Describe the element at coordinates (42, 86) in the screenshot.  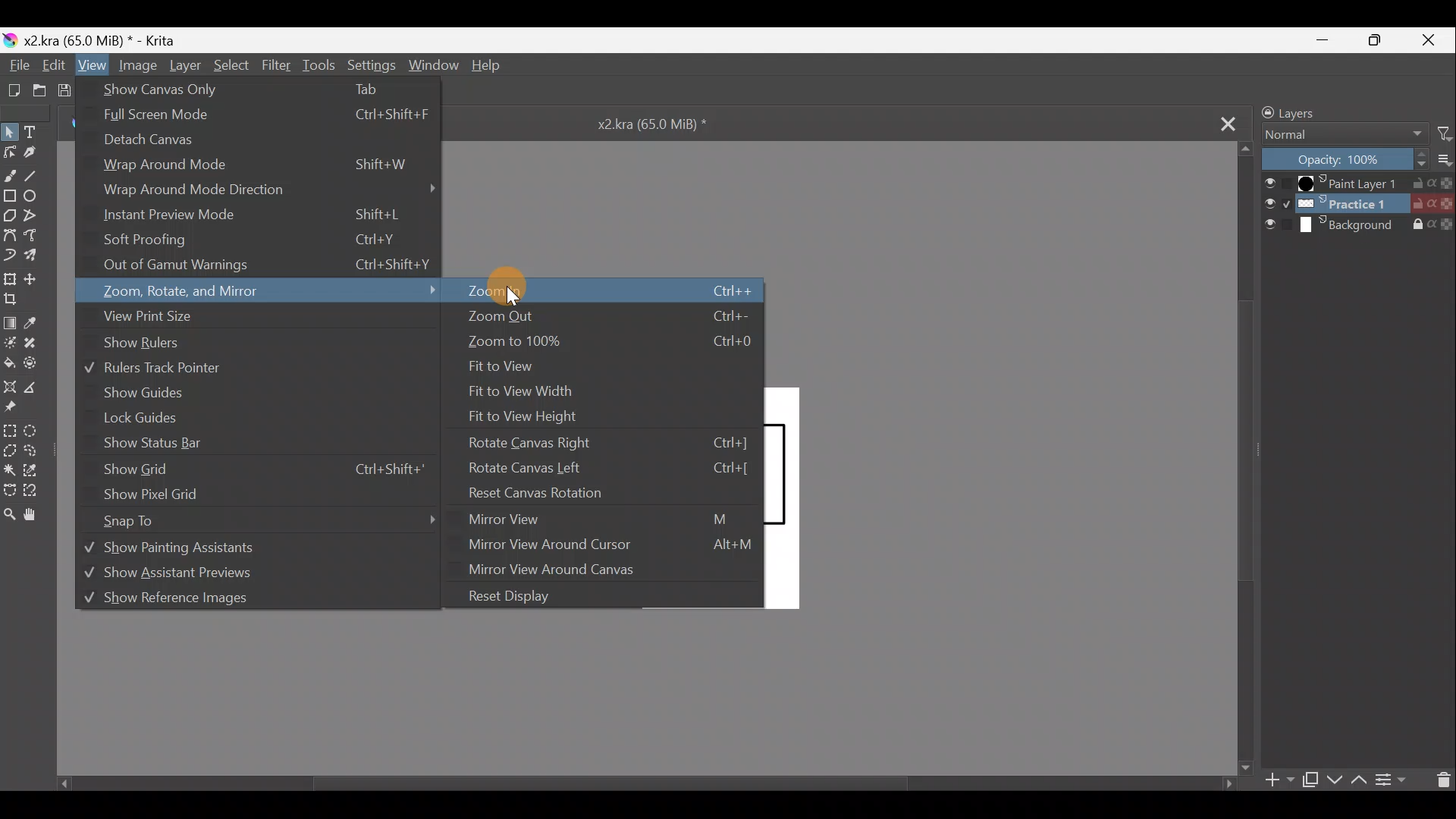
I see `Open existing document` at that location.